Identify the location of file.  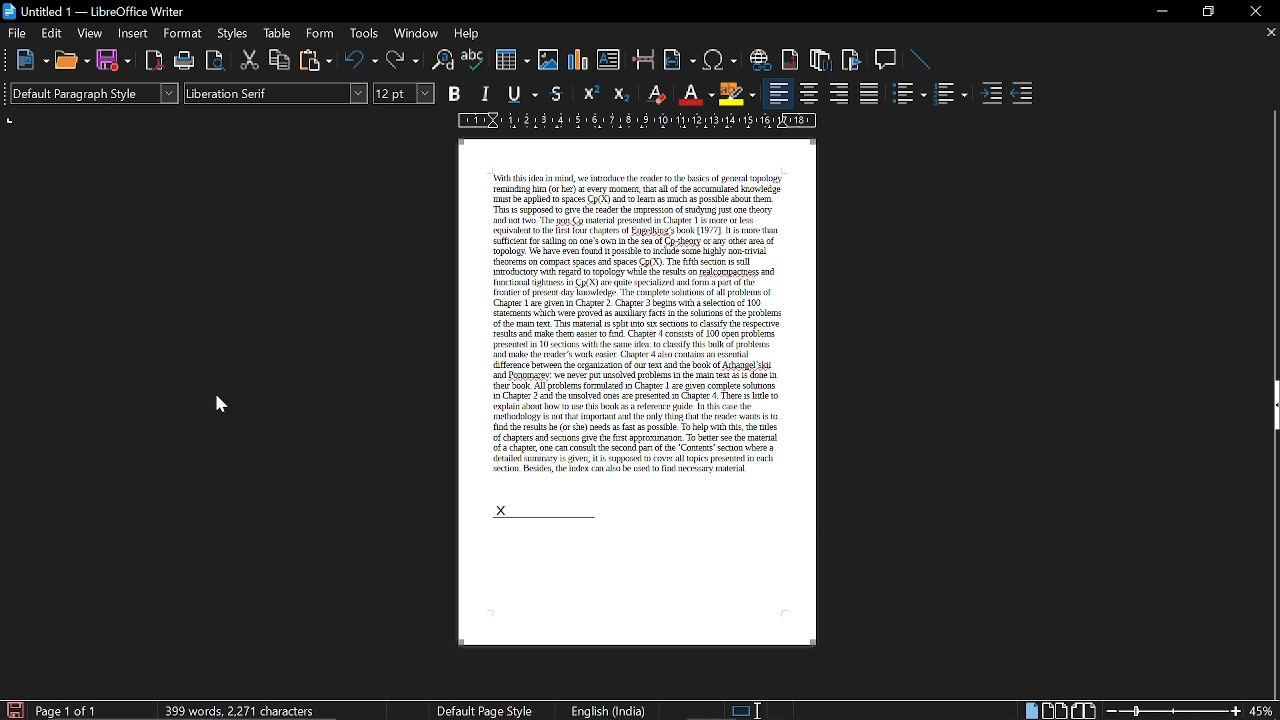
(16, 33).